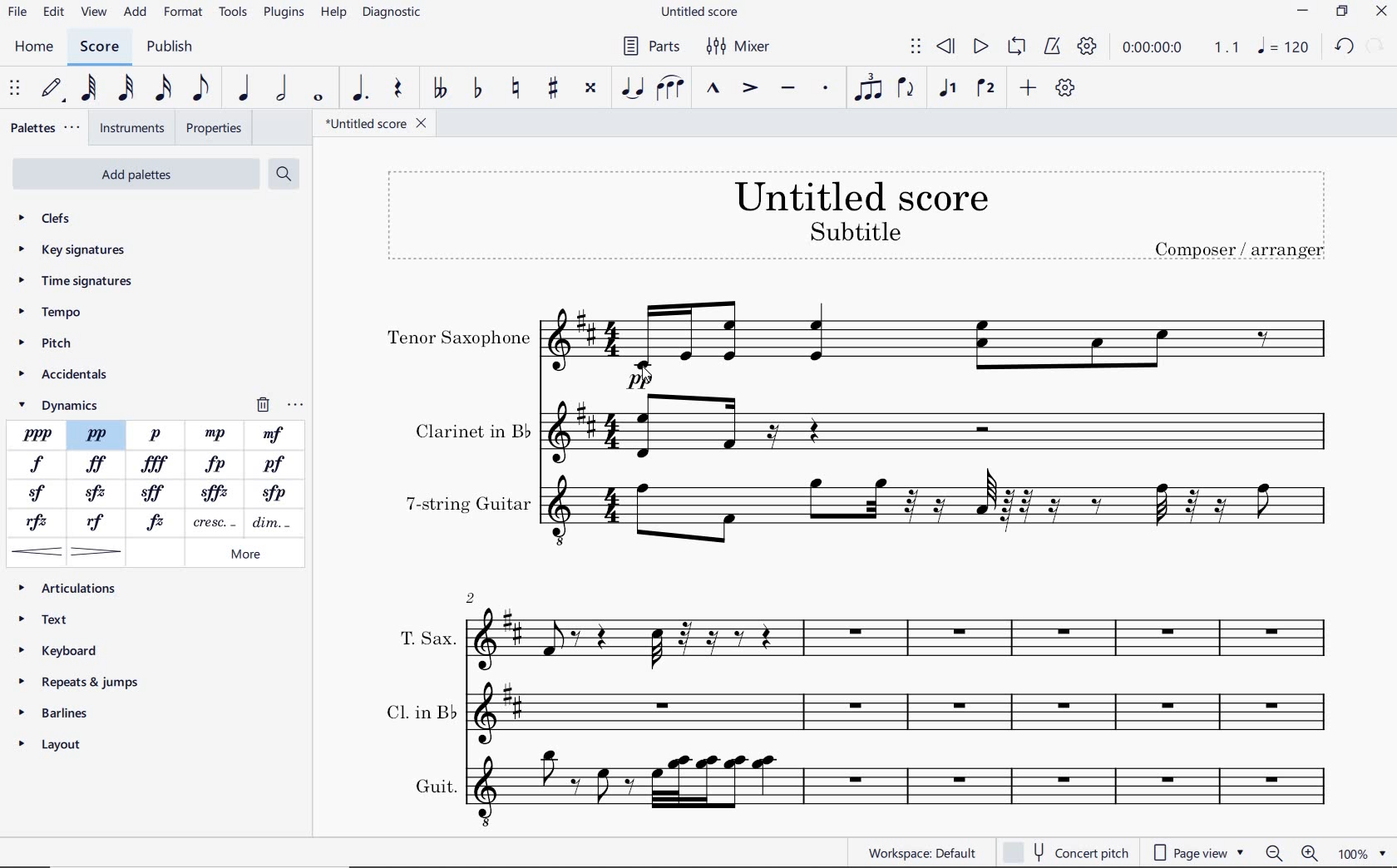  What do you see at coordinates (99, 48) in the screenshot?
I see `score` at bounding box center [99, 48].